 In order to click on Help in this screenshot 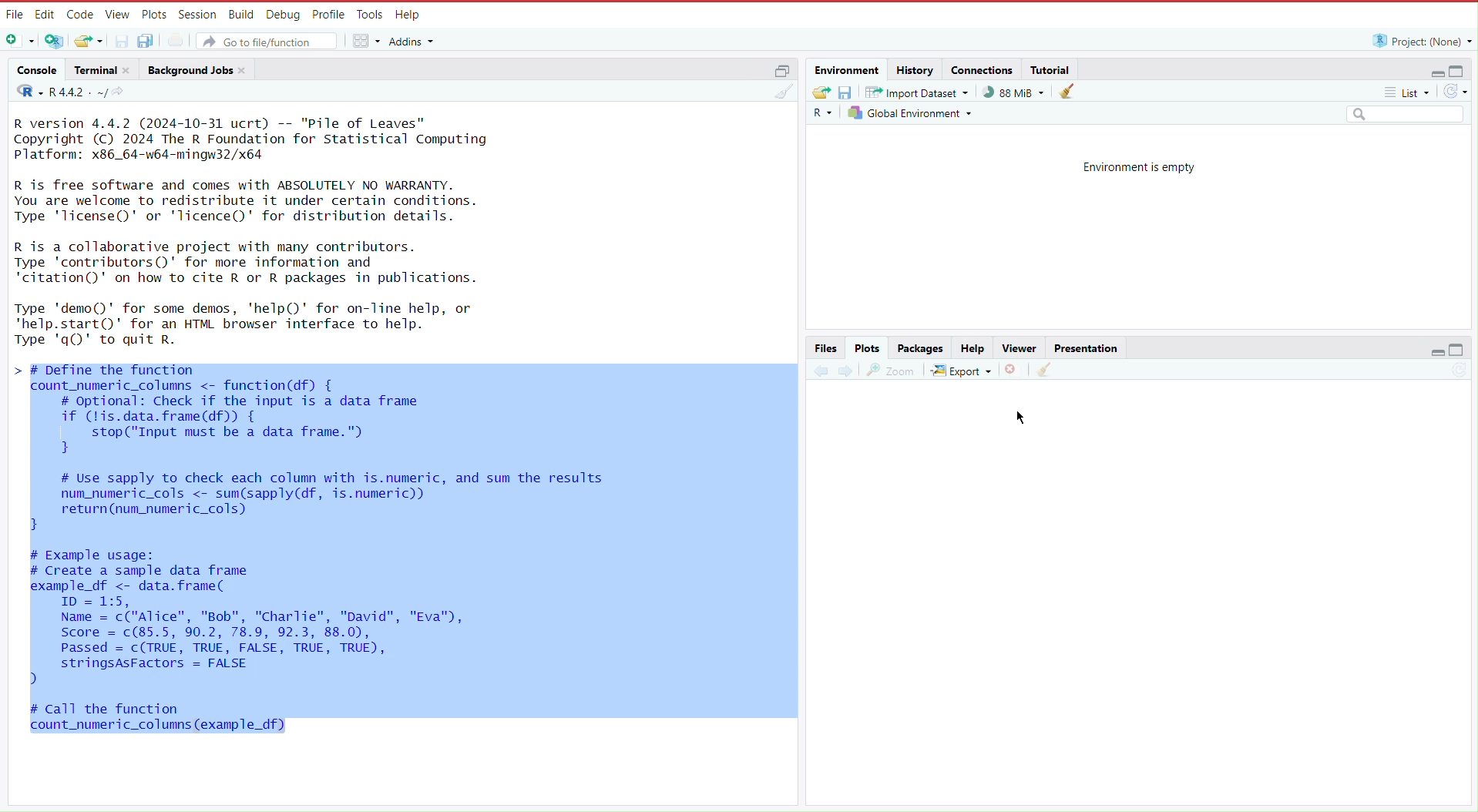, I will do `click(972, 348)`.